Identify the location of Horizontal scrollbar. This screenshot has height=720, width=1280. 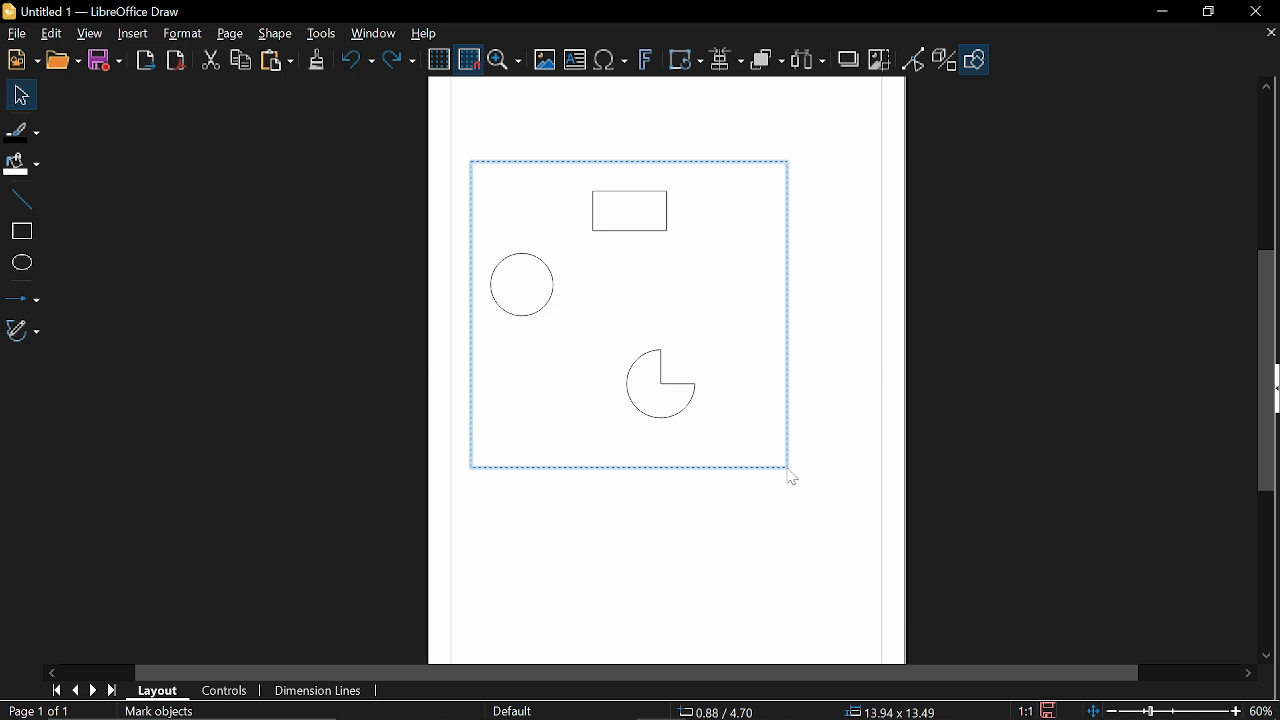
(638, 672).